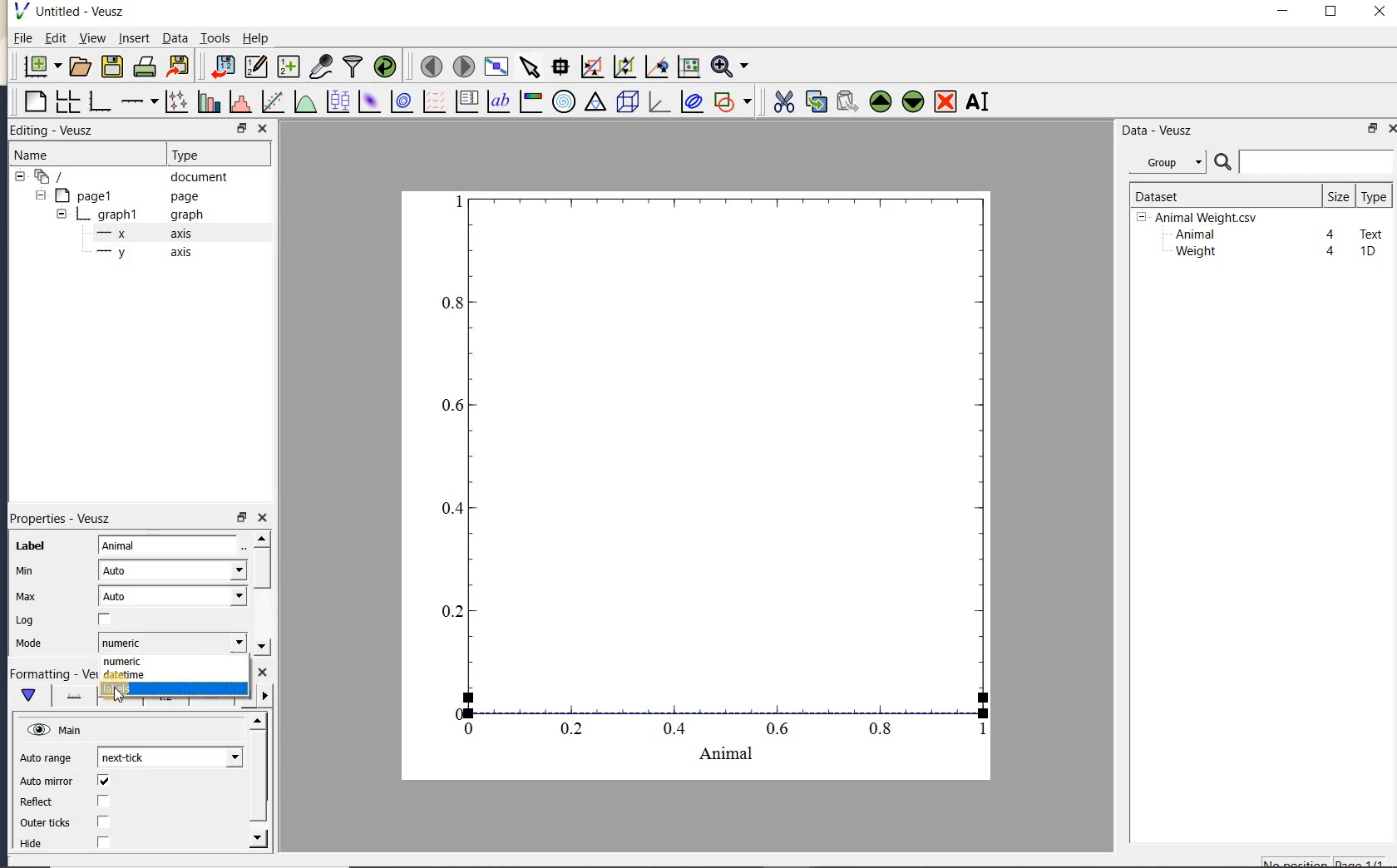 The width and height of the screenshot is (1397, 868). What do you see at coordinates (782, 102) in the screenshot?
I see `cut the selected widget` at bounding box center [782, 102].